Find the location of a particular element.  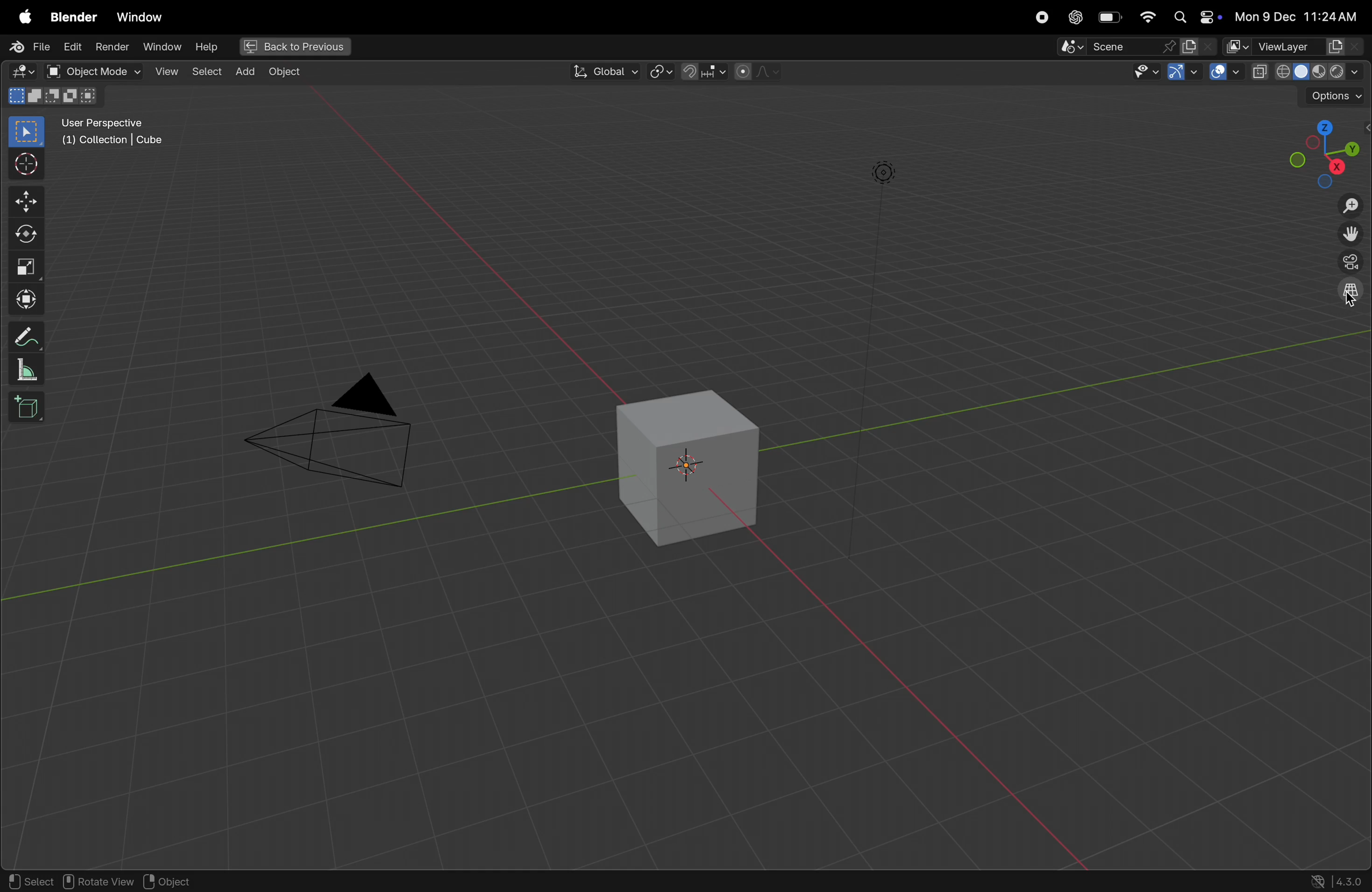

cursor is located at coordinates (21, 164).